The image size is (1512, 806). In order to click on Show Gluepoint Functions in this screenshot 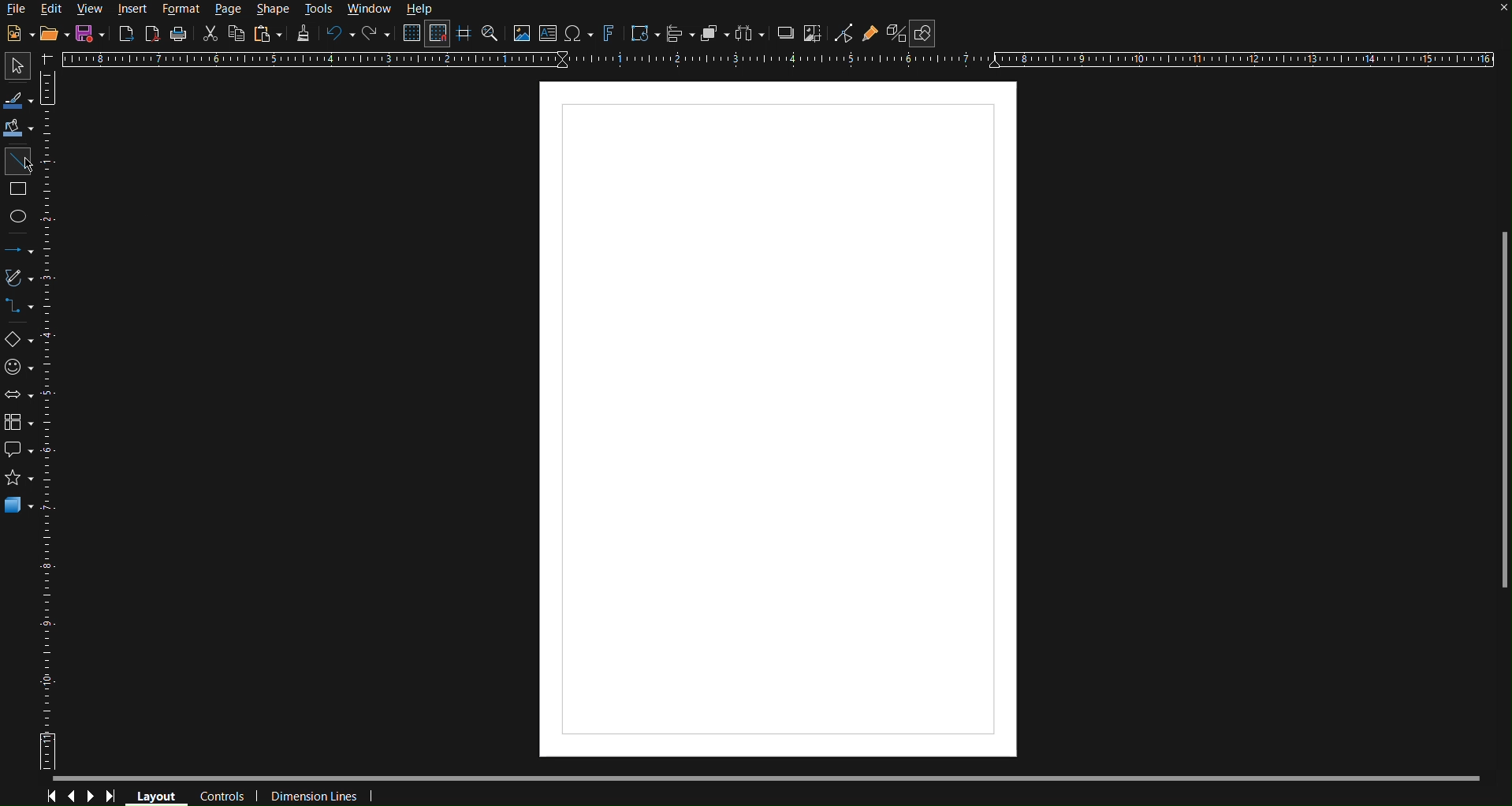, I will do `click(870, 32)`.